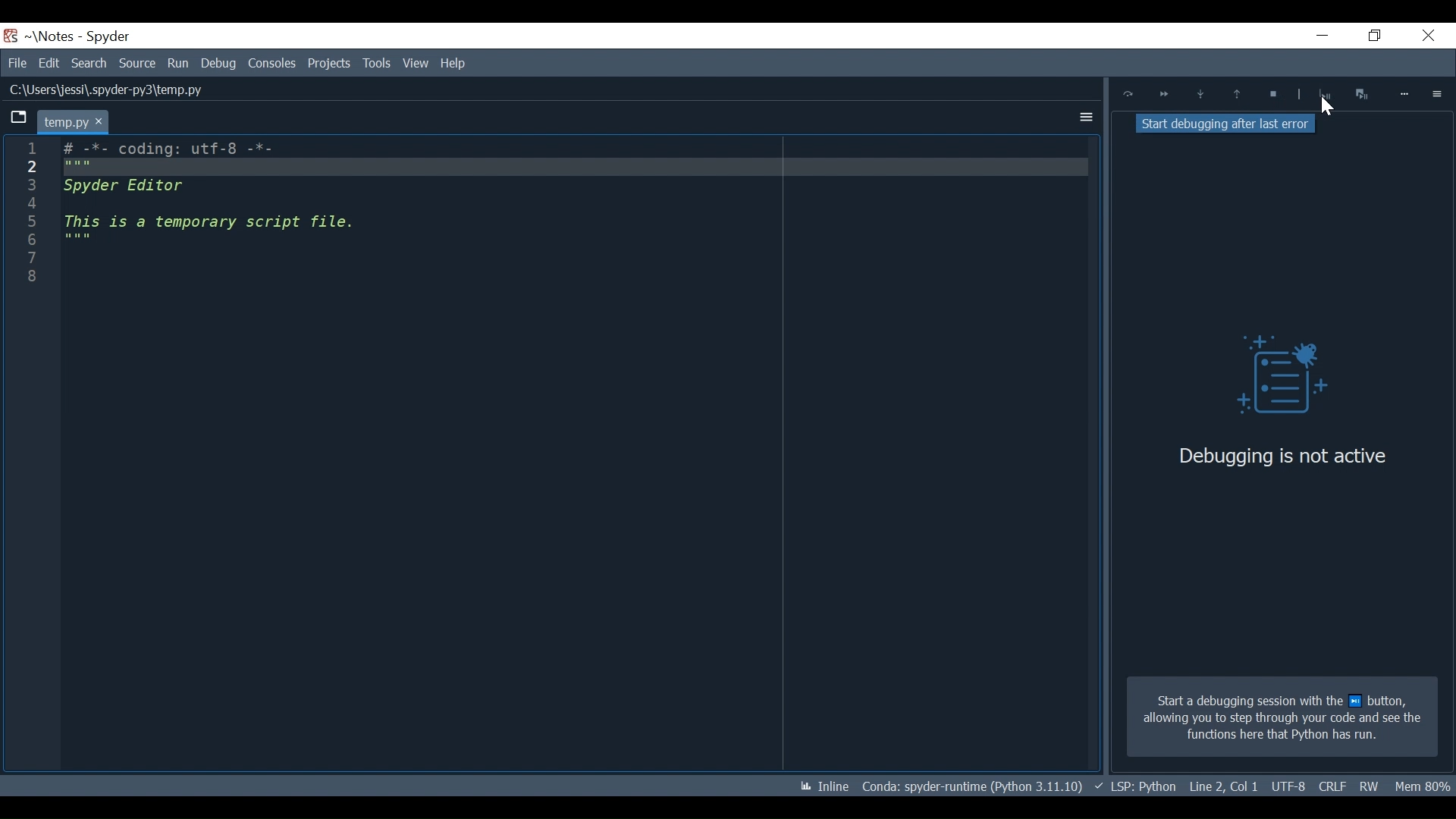  Describe the element at coordinates (109, 37) in the screenshot. I see `Spyder ` at that location.